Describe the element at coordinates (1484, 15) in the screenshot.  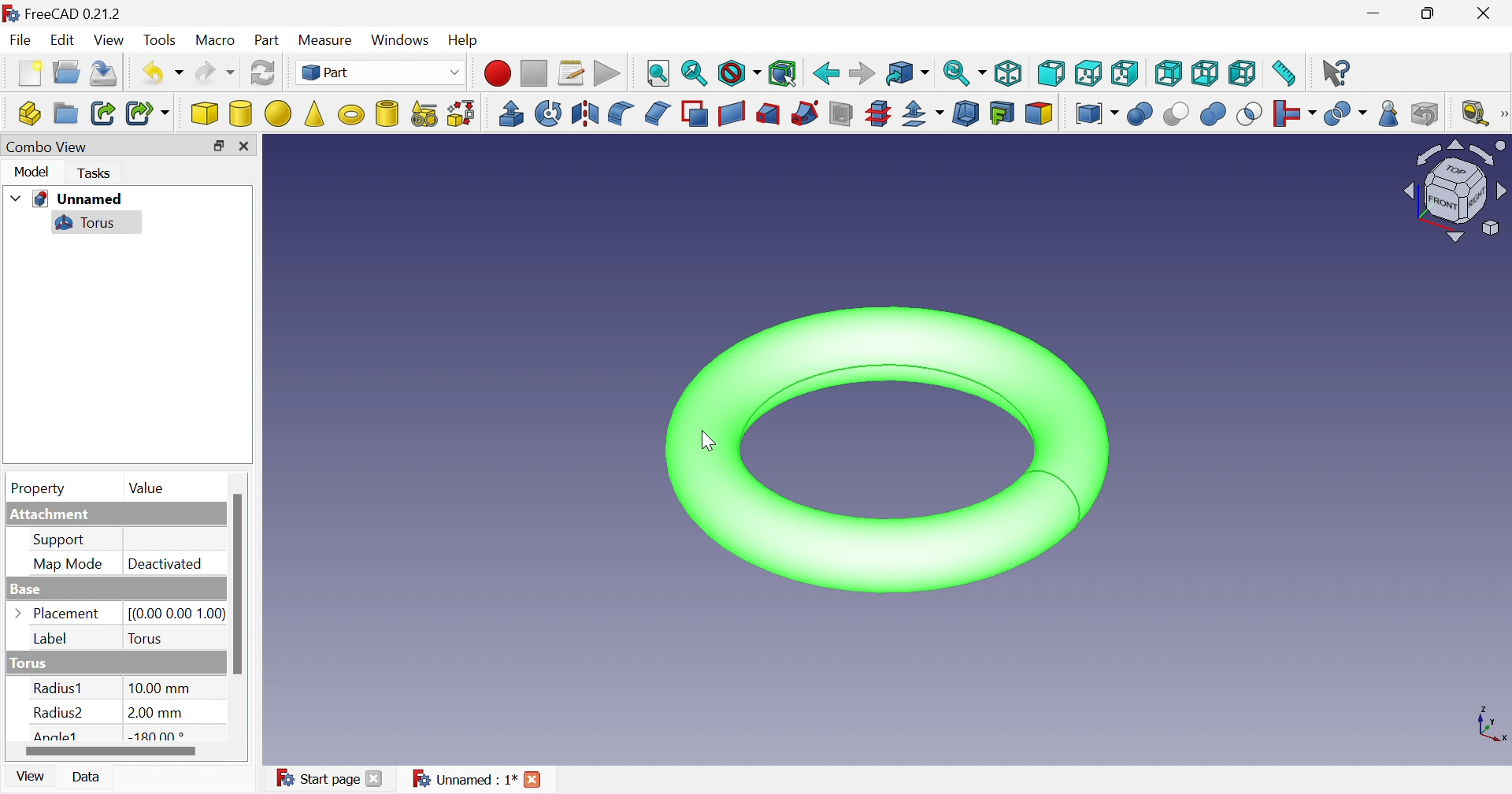
I see `Close` at that location.